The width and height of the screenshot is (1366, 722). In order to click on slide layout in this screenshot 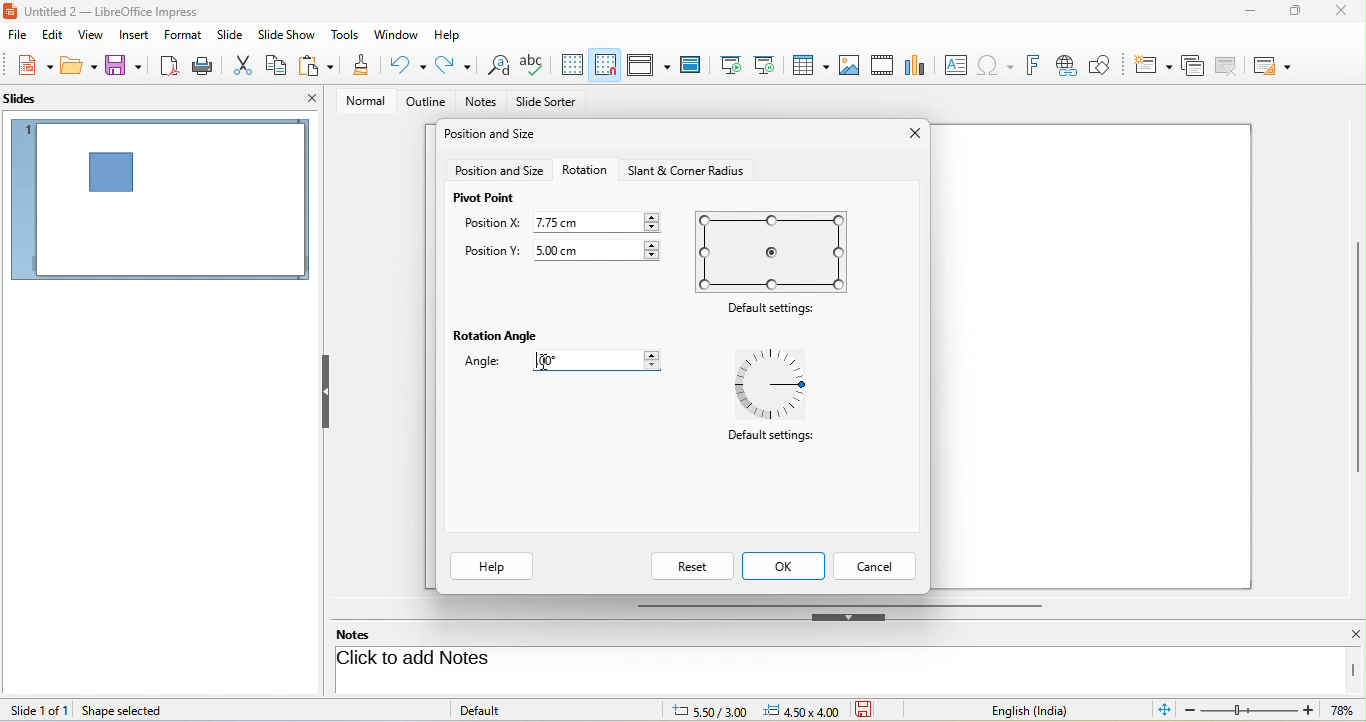, I will do `click(1277, 64)`.